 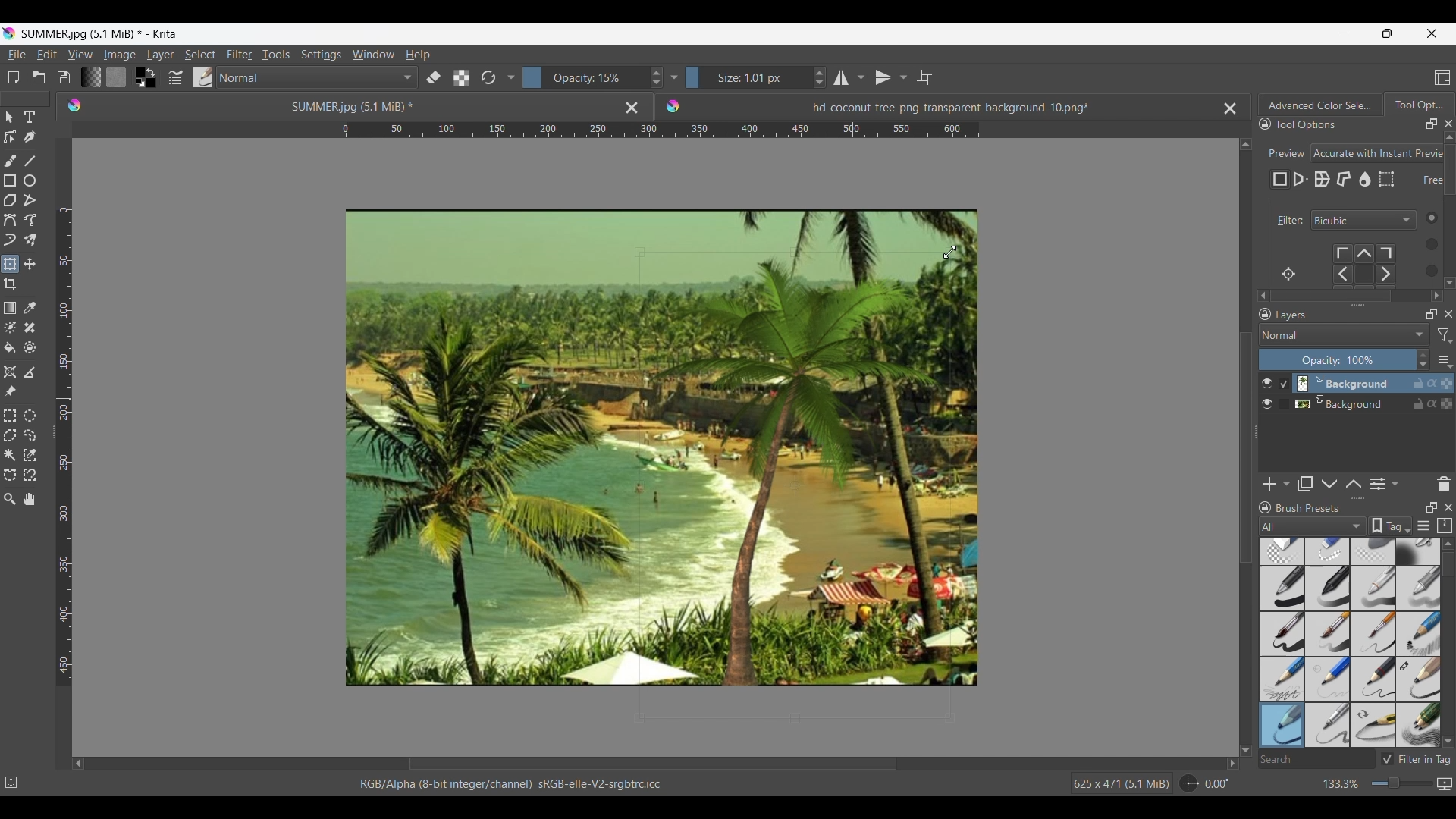 I want to click on Set eraser mode, so click(x=432, y=77).